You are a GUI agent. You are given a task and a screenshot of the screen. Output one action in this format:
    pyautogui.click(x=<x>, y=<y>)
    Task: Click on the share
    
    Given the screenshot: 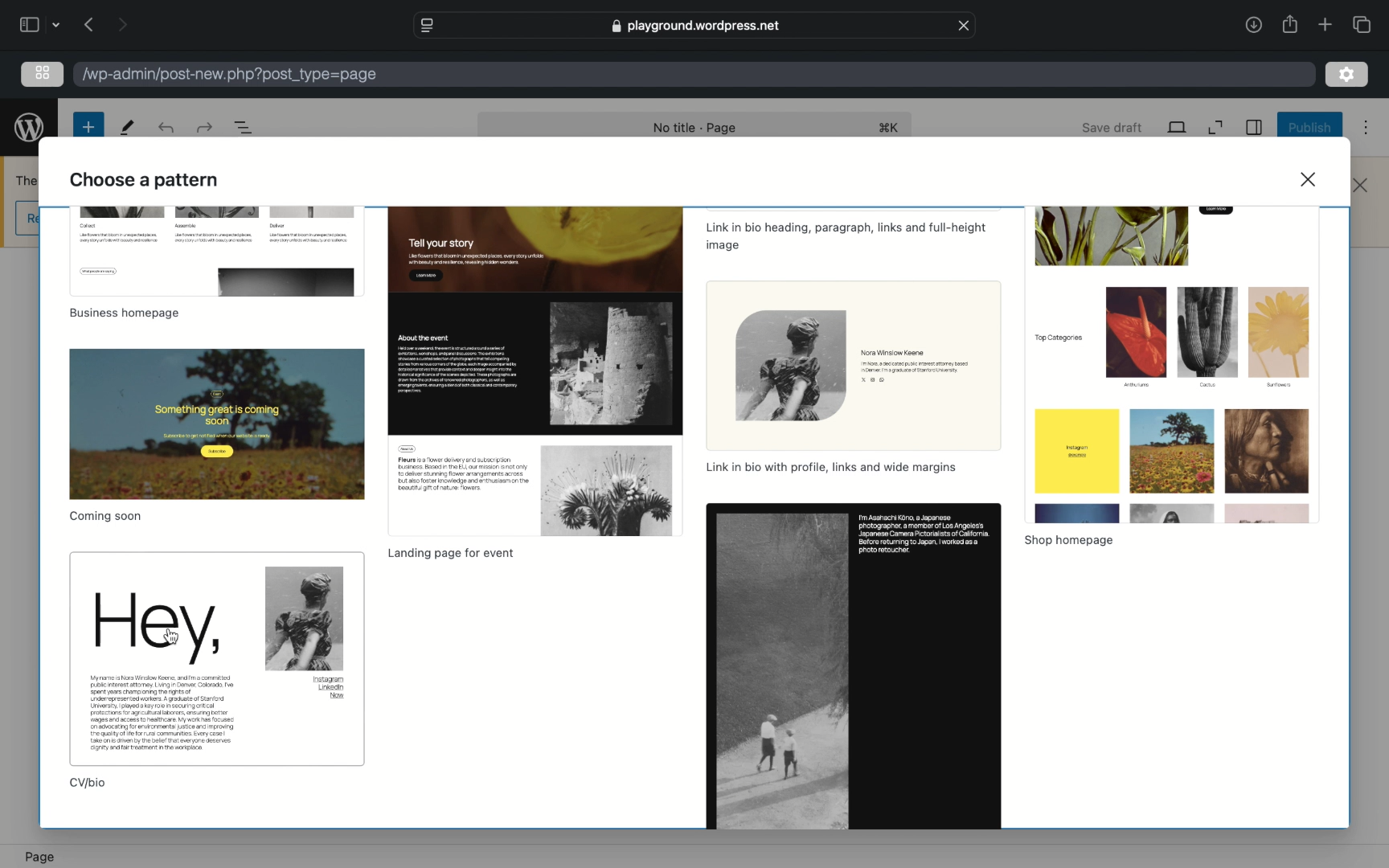 What is the action you would take?
    pyautogui.click(x=1252, y=26)
    